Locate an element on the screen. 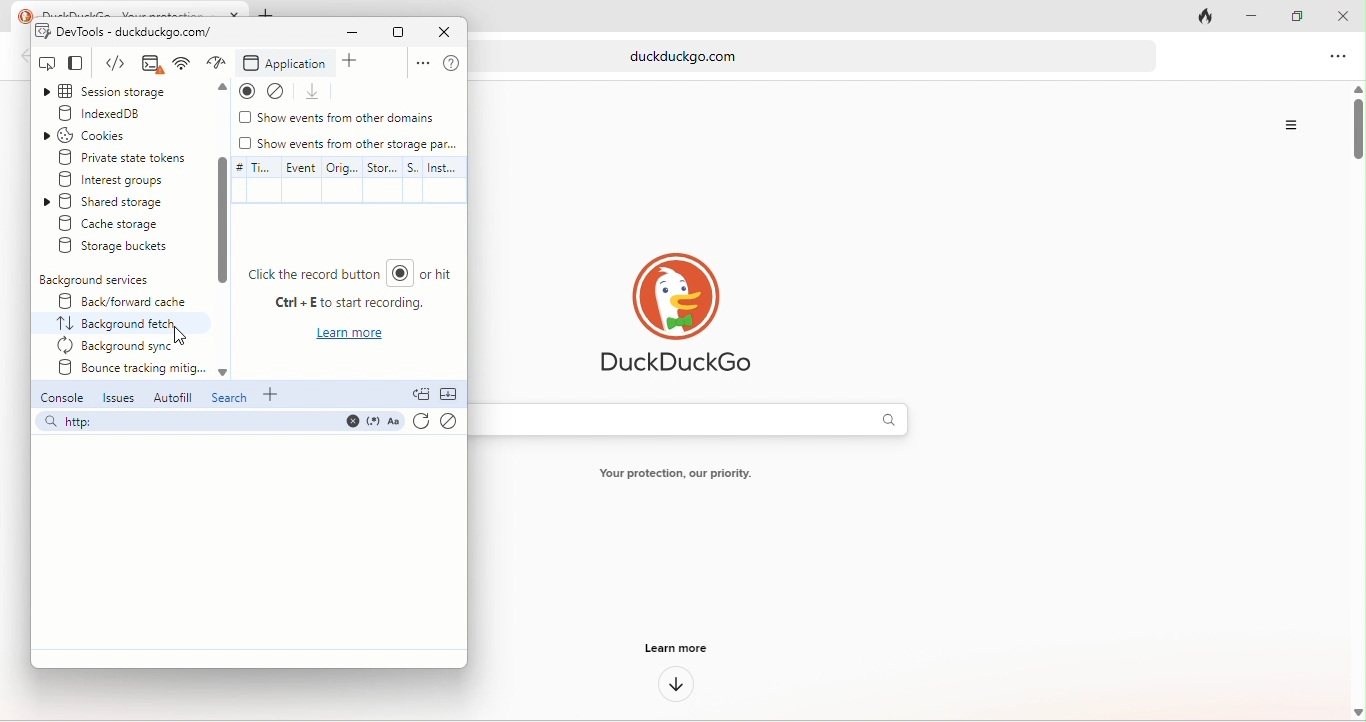  show events from other domains is located at coordinates (339, 120).